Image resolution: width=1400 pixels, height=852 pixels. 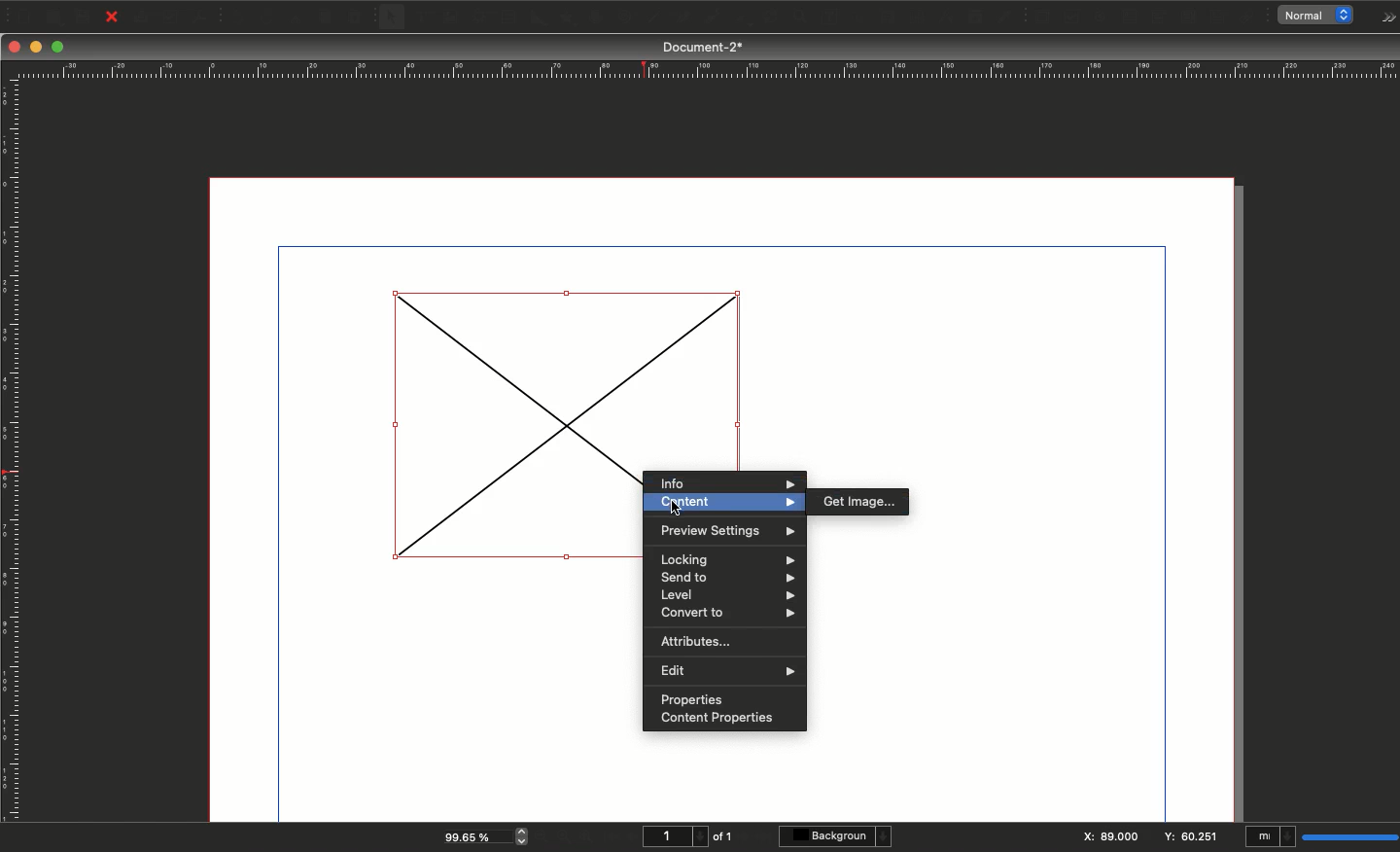 I want to click on Convert to, so click(x=725, y=613).